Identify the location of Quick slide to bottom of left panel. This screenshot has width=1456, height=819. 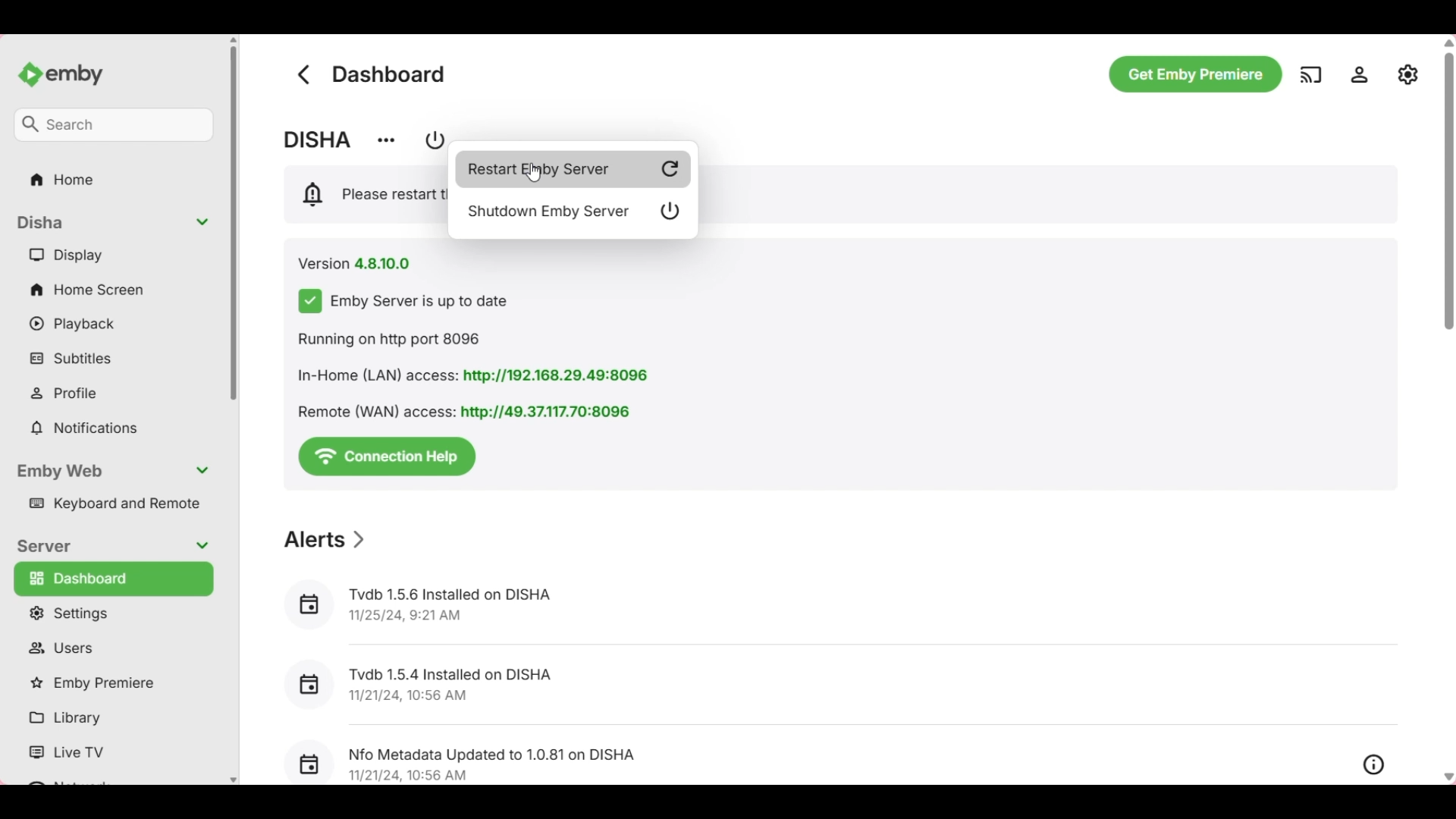
(234, 780).